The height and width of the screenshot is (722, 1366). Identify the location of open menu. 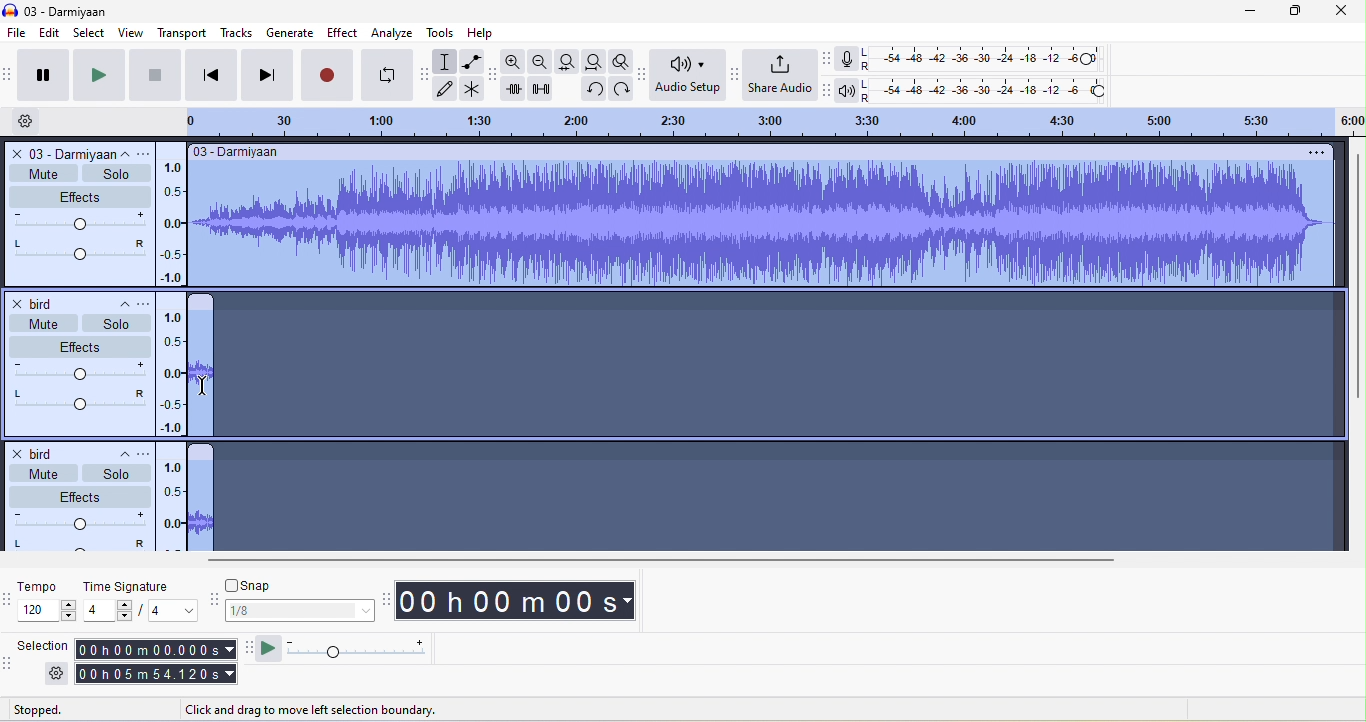
(147, 301).